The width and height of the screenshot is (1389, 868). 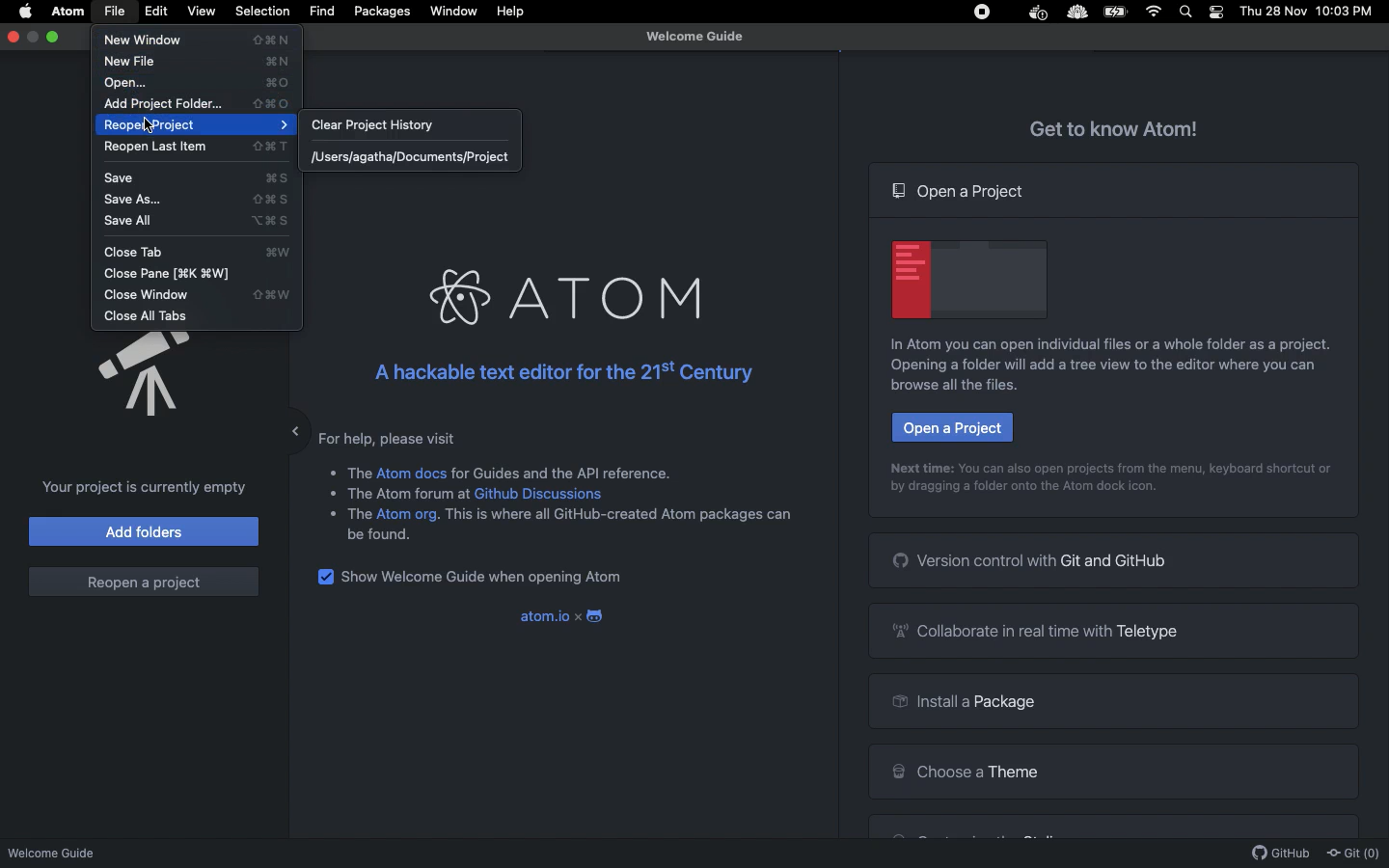 I want to click on Logo, so click(x=598, y=617).